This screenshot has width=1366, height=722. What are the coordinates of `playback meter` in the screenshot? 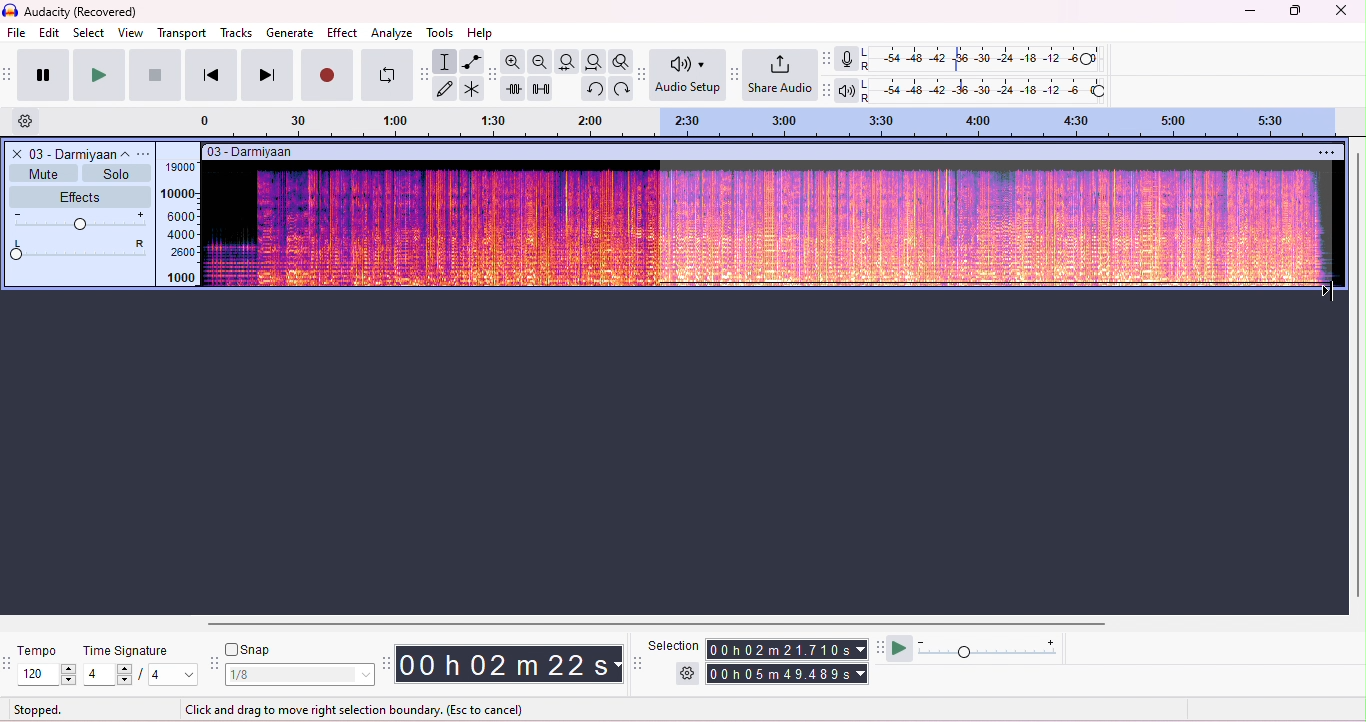 It's located at (848, 89).